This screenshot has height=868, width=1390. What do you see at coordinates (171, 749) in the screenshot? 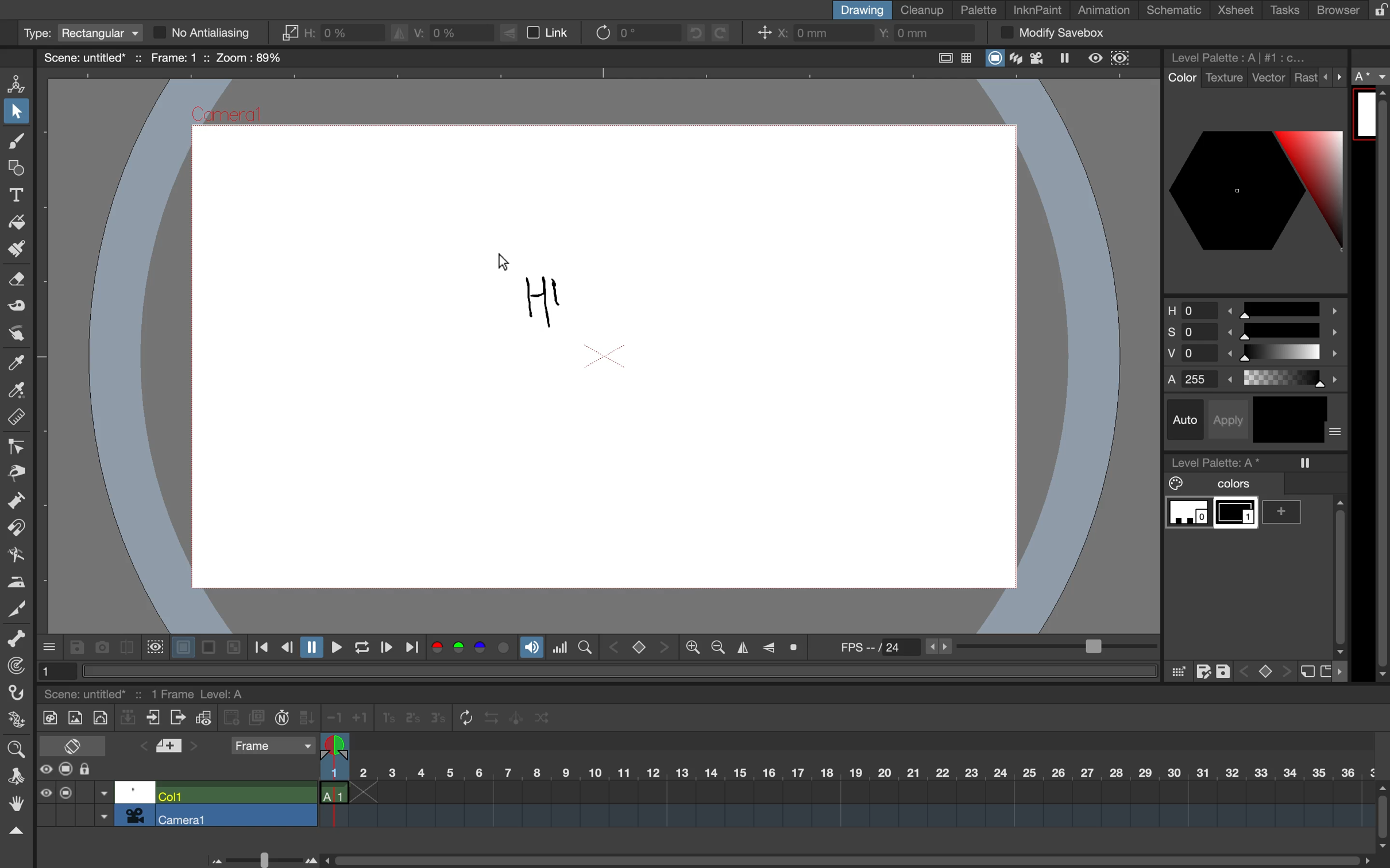
I see `add new memo` at bounding box center [171, 749].